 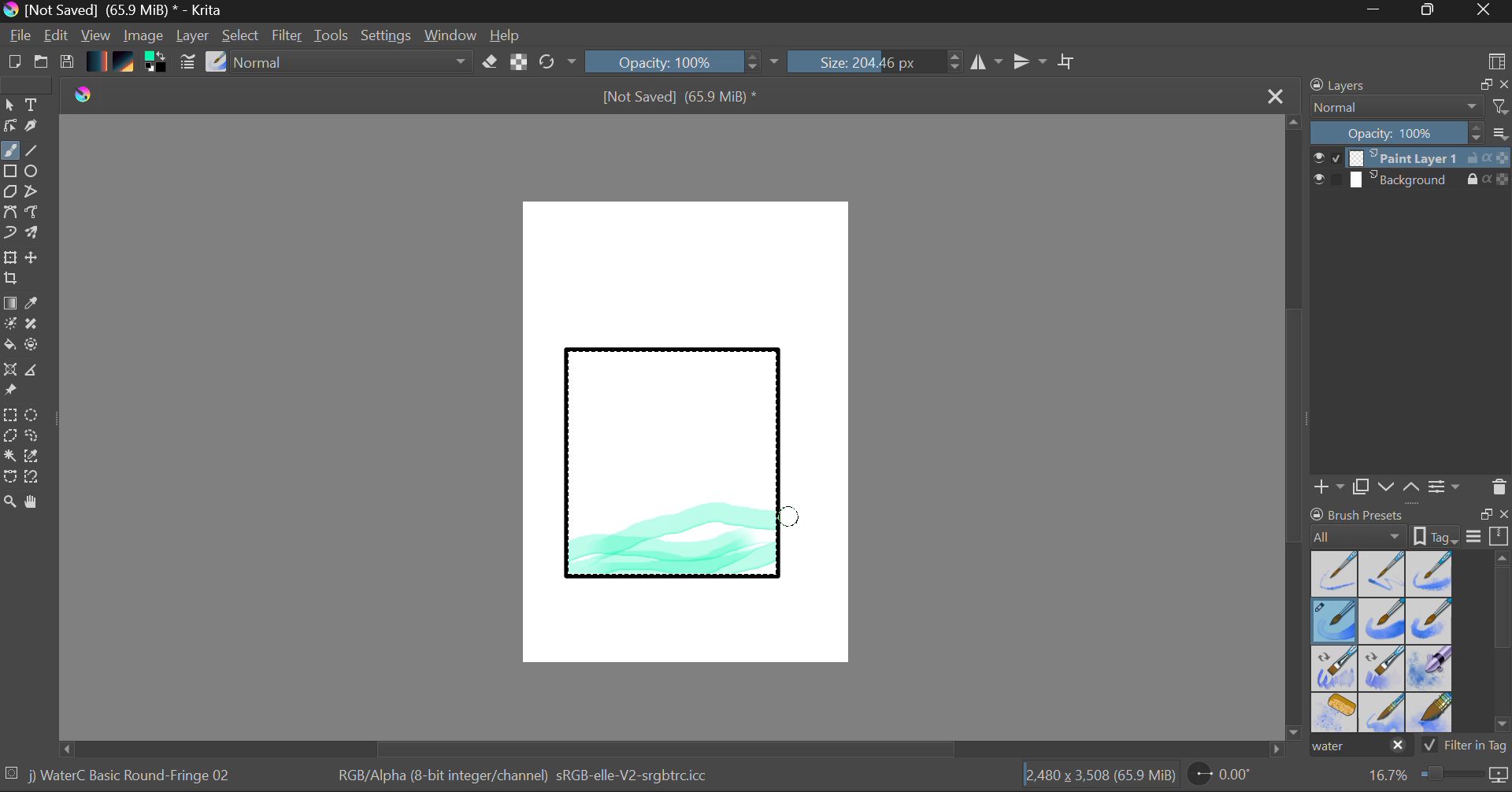 I want to click on Minimize, so click(x=1431, y=11).